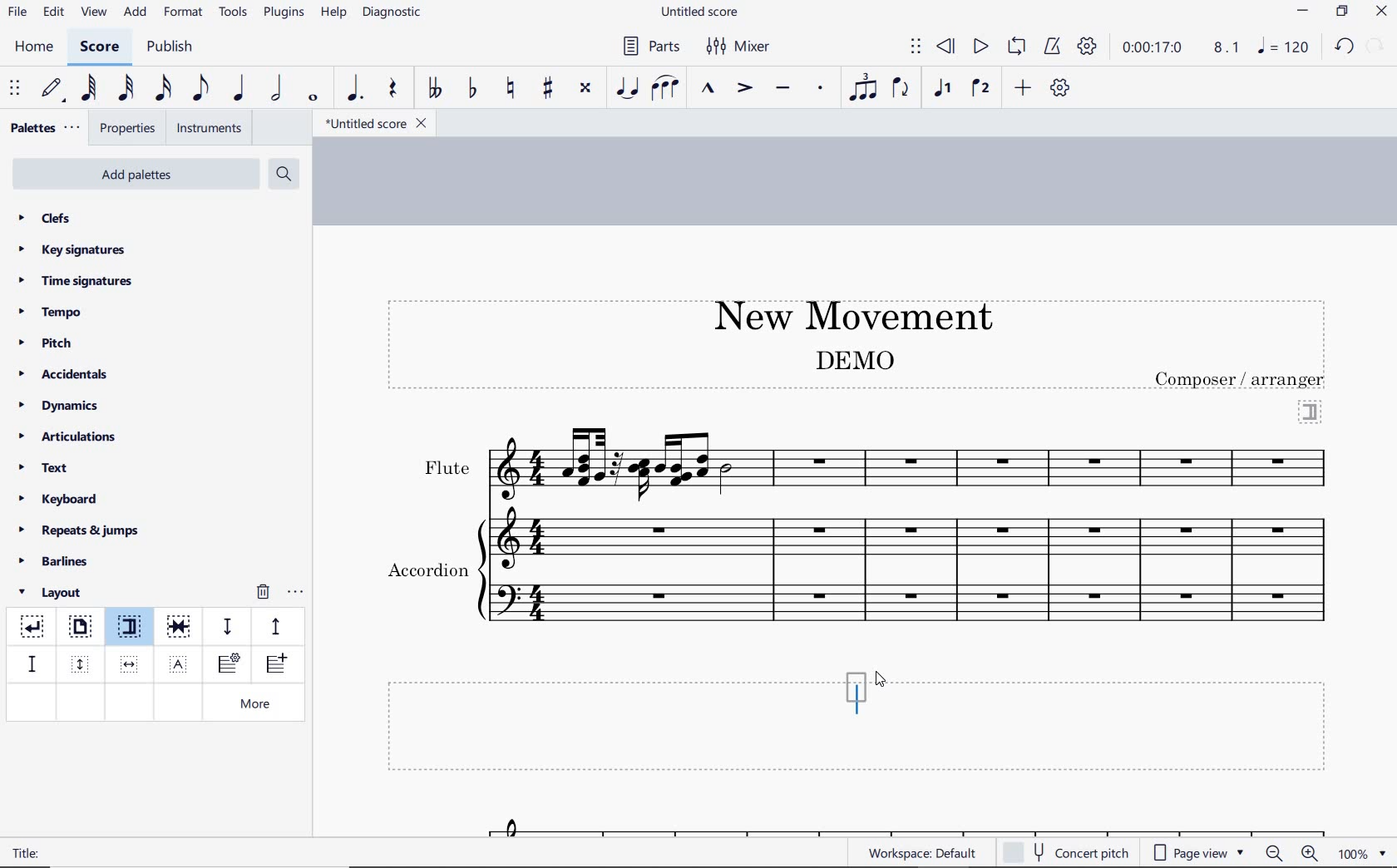 The image size is (1397, 868). Describe the element at coordinates (238, 89) in the screenshot. I see `quarter note` at that location.